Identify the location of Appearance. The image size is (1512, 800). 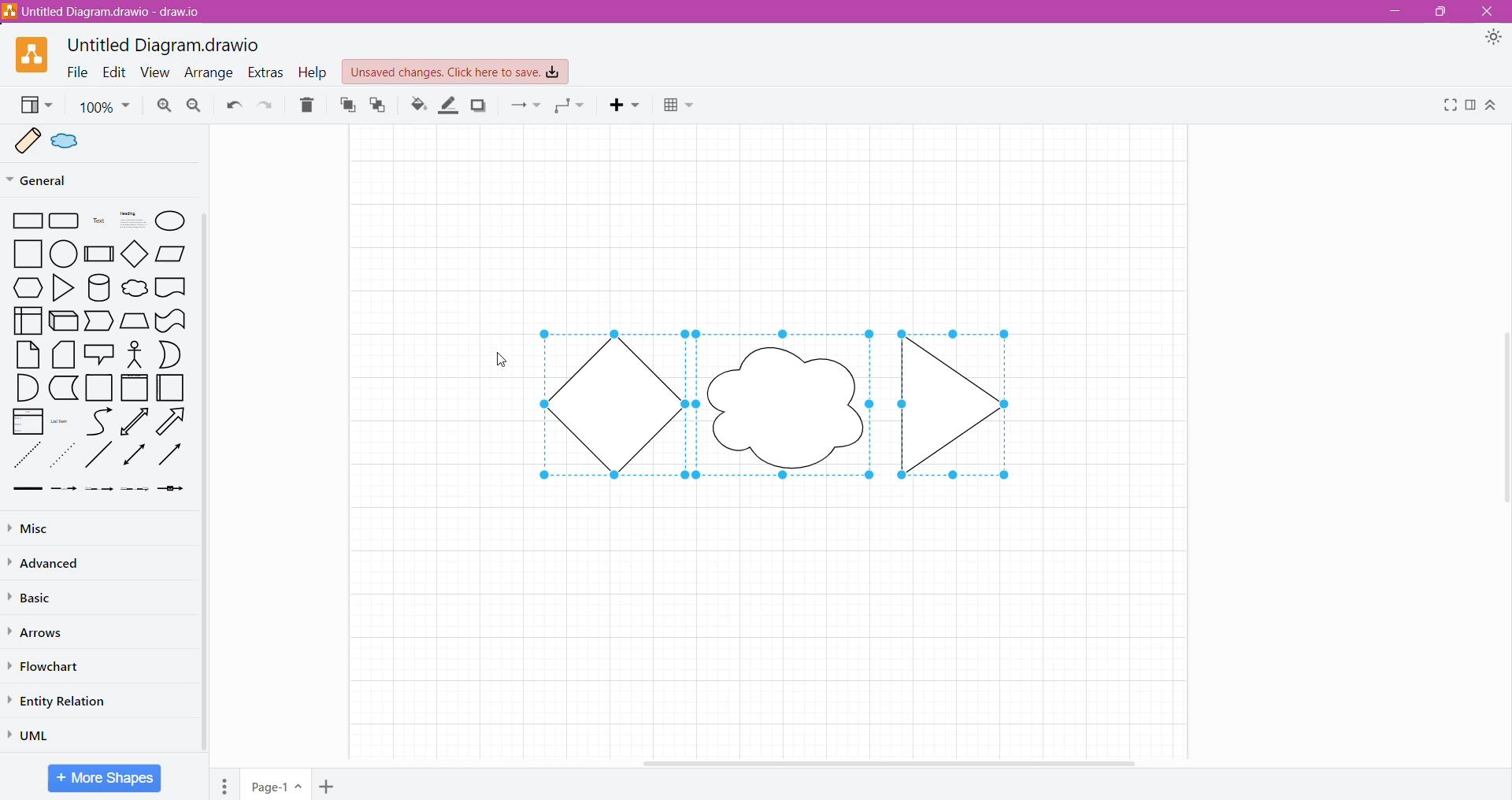
(1496, 40).